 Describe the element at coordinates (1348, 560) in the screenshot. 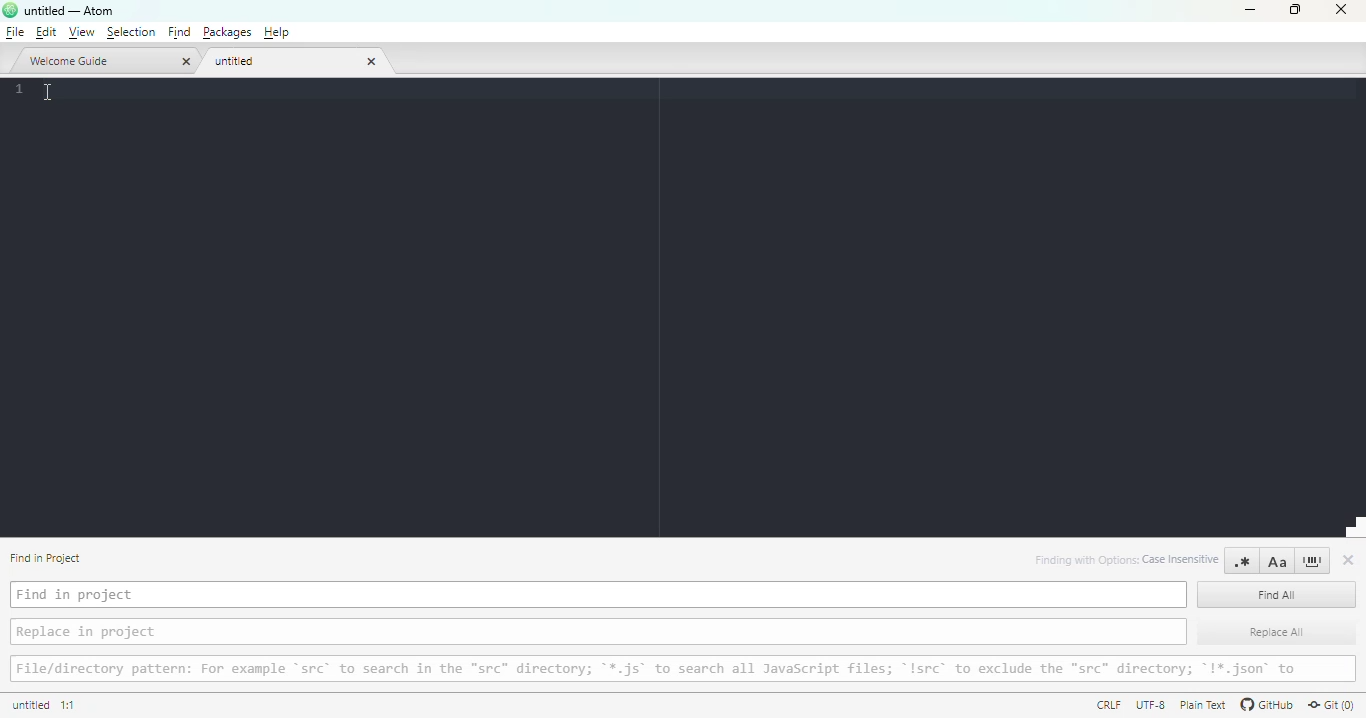

I see `close panel` at that location.